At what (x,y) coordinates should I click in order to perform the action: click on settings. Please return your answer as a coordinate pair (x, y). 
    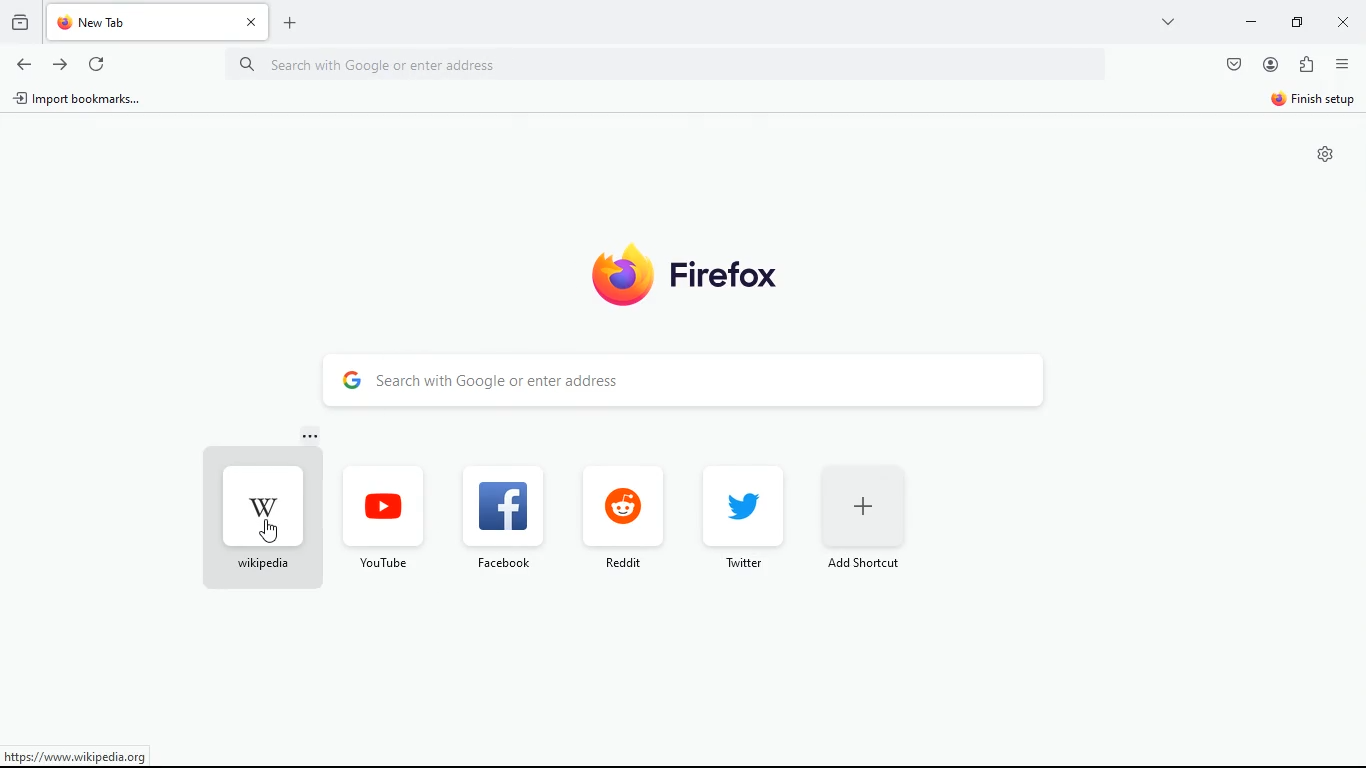
    Looking at the image, I should click on (1323, 156).